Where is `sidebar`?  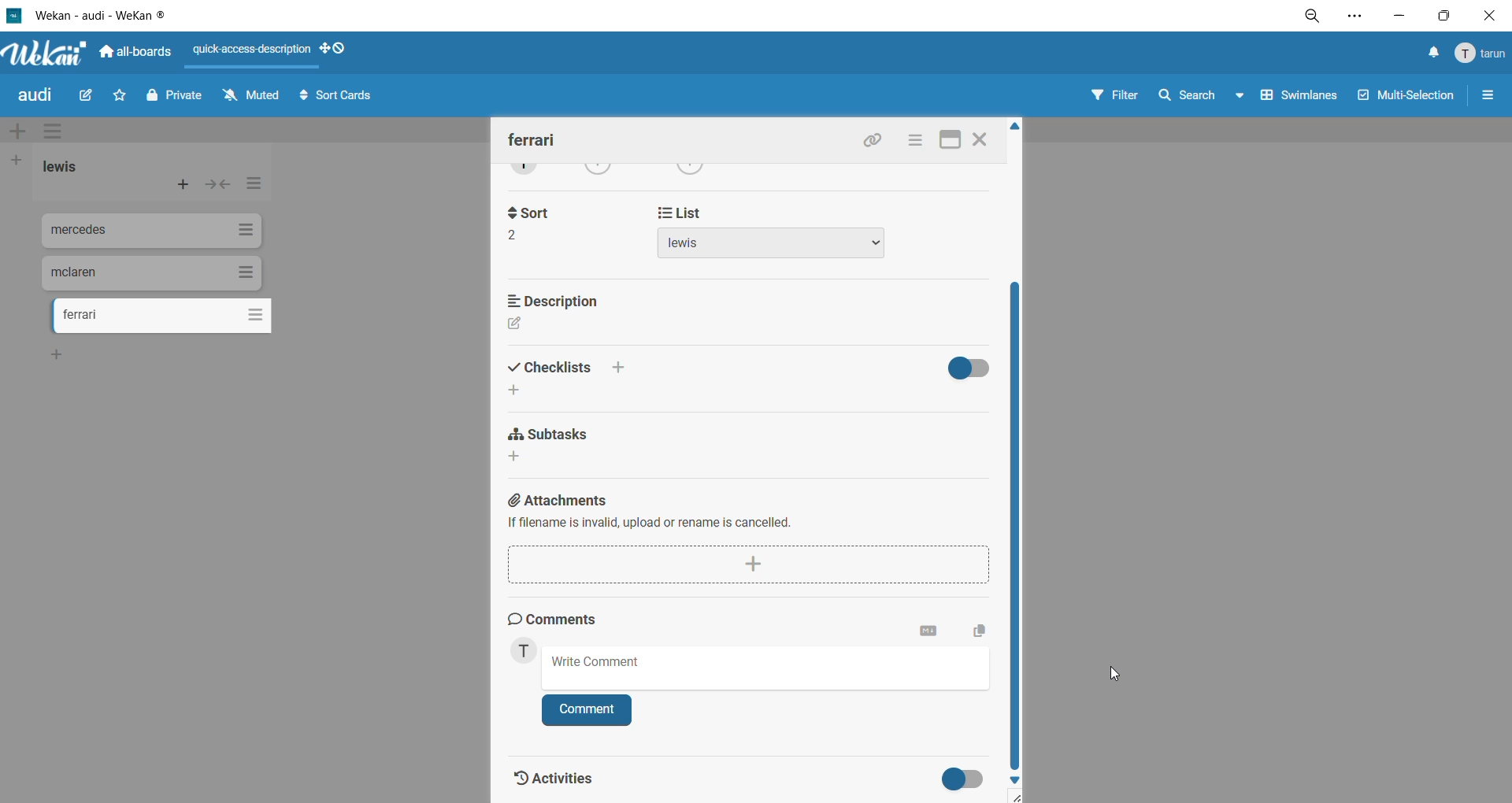
sidebar is located at coordinates (1489, 98).